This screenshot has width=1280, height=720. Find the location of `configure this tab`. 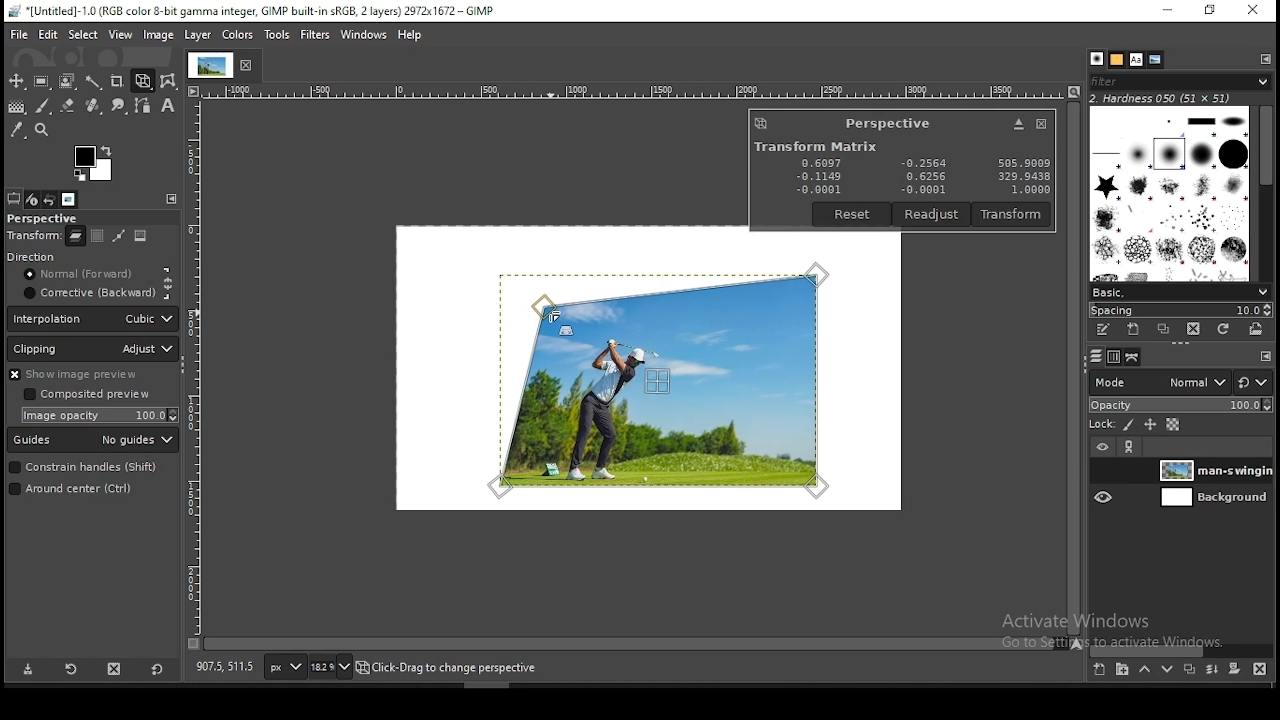

configure this tab is located at coordinates (1267, 59).